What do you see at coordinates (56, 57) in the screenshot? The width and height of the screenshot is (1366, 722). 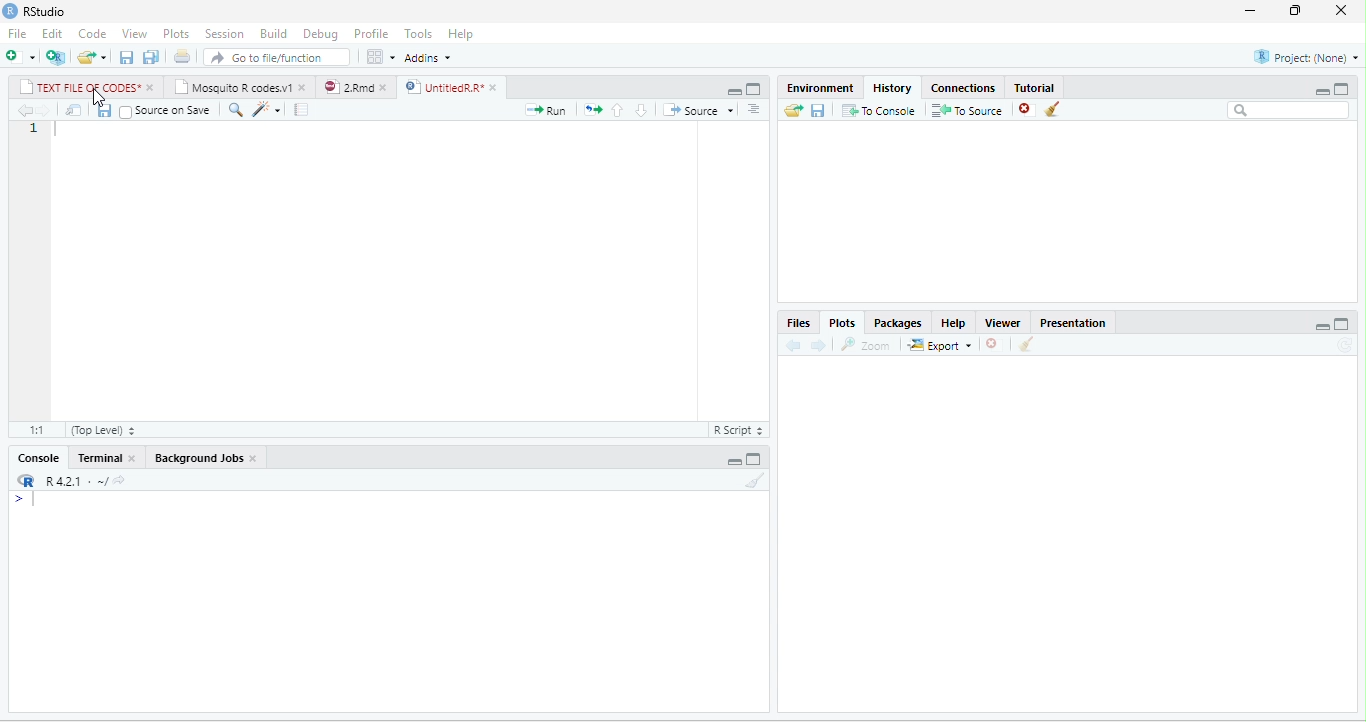 I see `new project` at bounding box center [56, 57].